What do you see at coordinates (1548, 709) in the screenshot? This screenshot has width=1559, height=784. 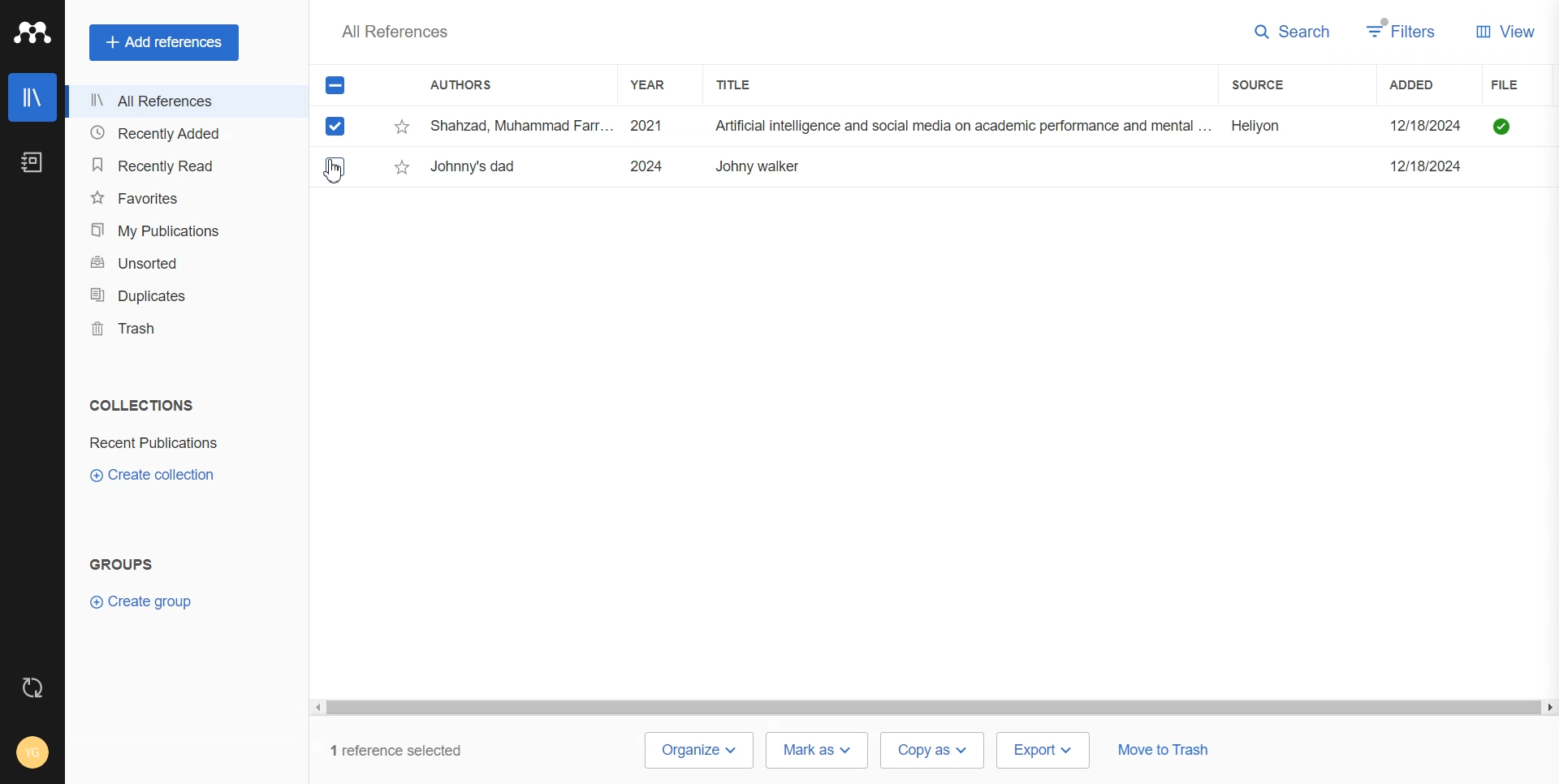 I see `scroll right` at bounding box center [1548, 709].